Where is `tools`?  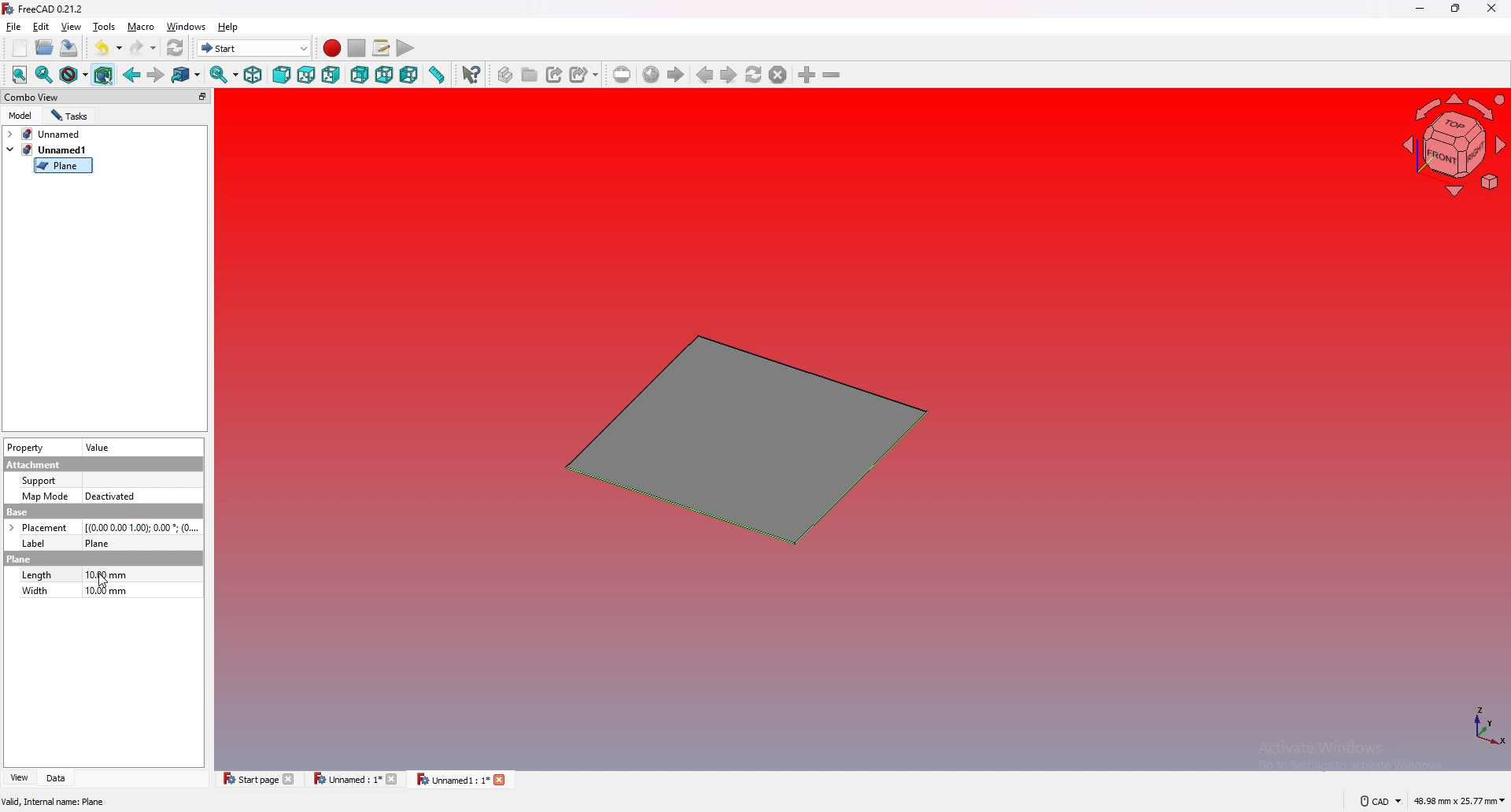
tools is located at coordinates (104, 26).